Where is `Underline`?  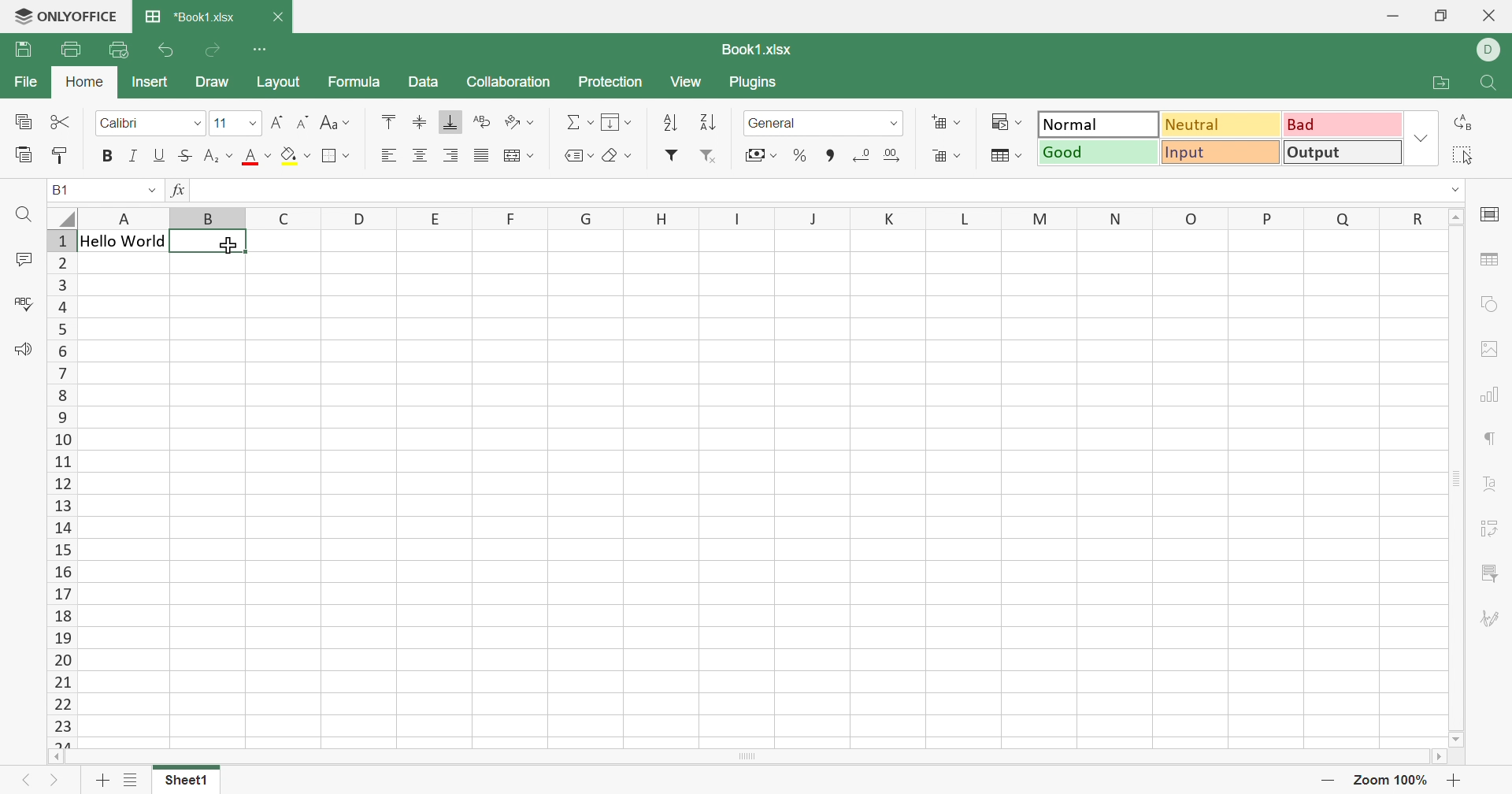
Underline is located at coordinates (158, 155).